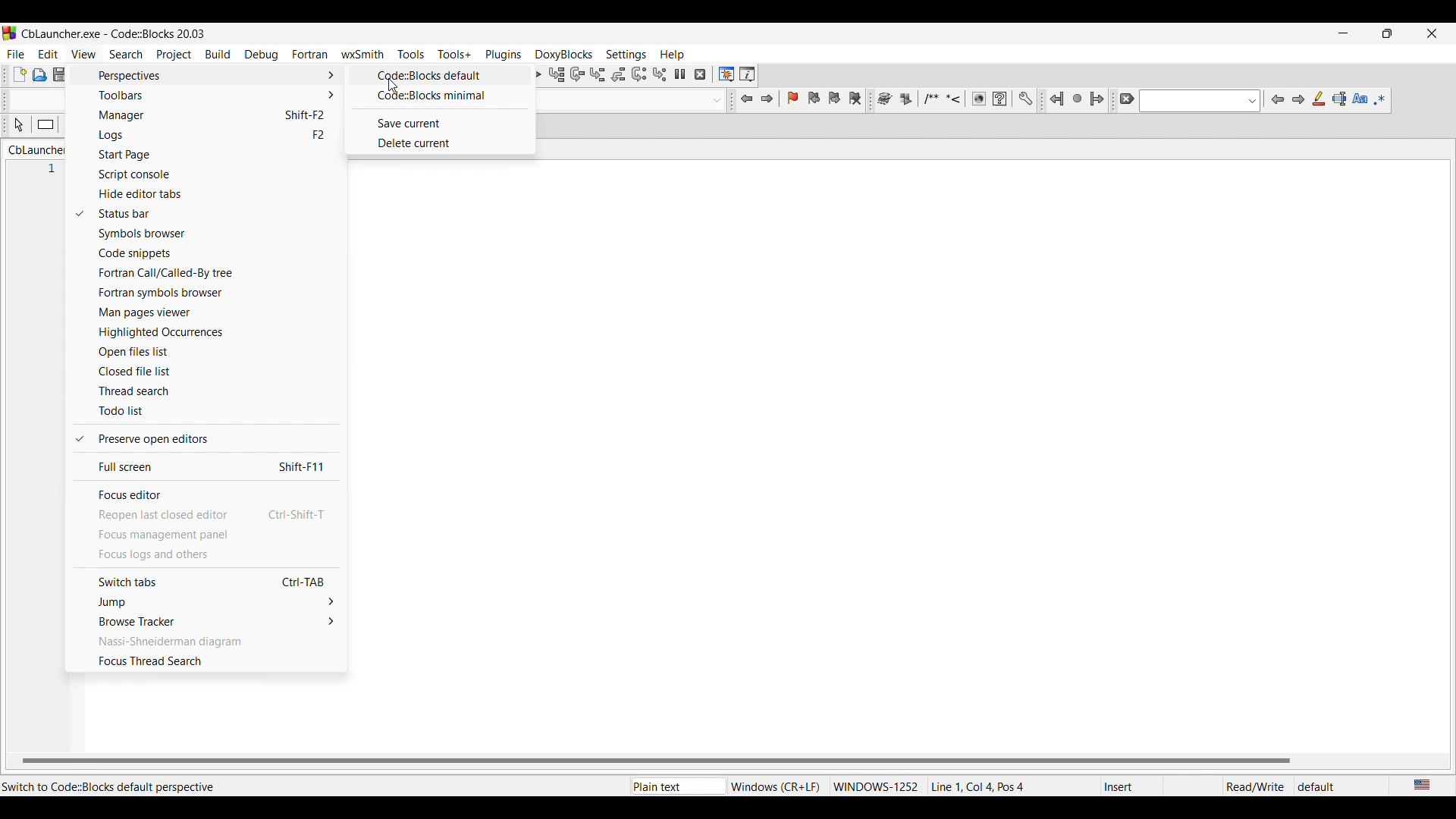  What do you see at coordinates (217, 253) in the screenshot?
I see `Code snippets` at bounding box center [217, 253].